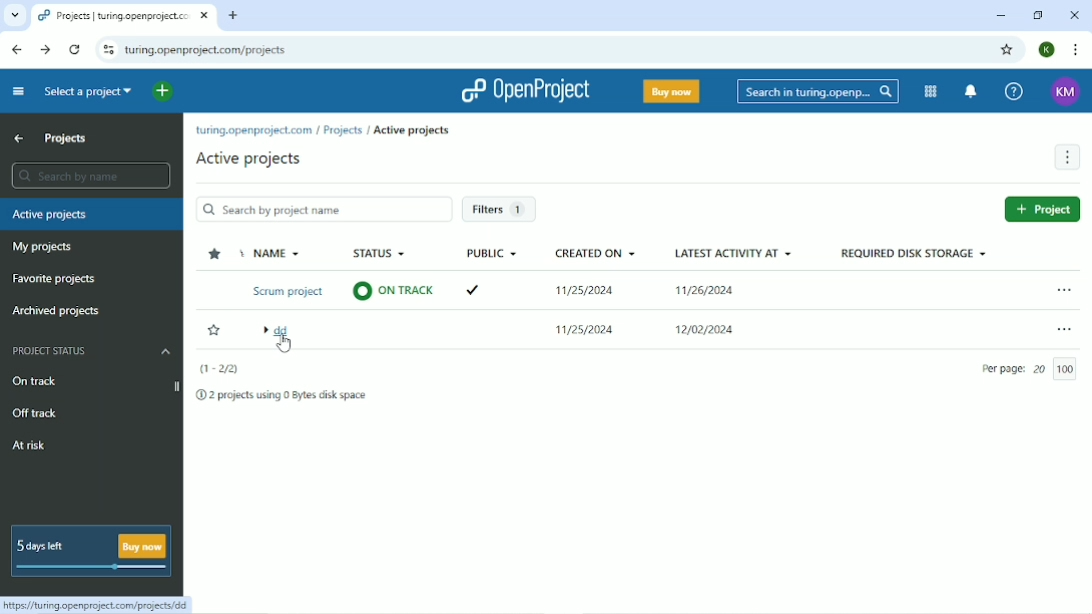  I want to click on Name, so click(285, 253).